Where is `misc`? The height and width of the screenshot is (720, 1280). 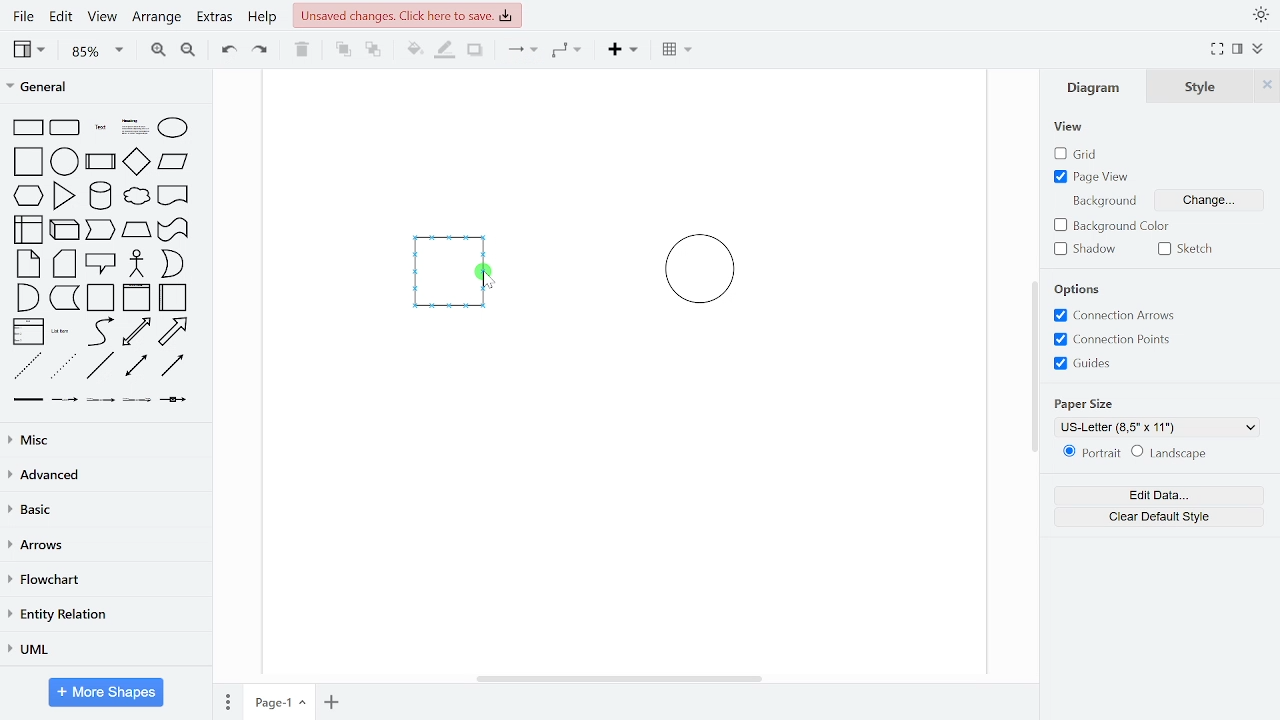 misc is located at coordinates (102, 439).